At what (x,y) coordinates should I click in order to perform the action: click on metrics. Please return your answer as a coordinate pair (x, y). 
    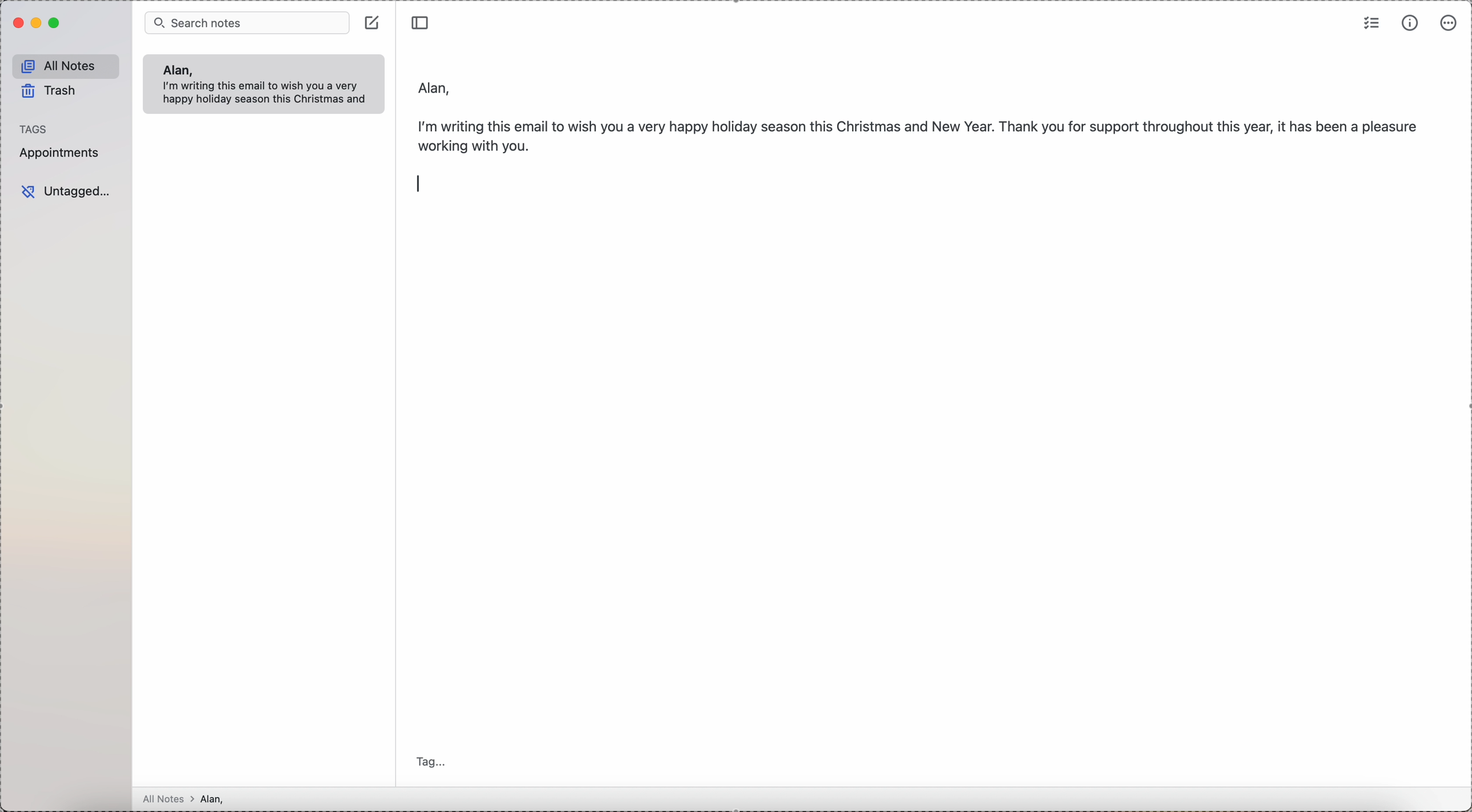
    Looking at the image, I should click on (1410, 23).